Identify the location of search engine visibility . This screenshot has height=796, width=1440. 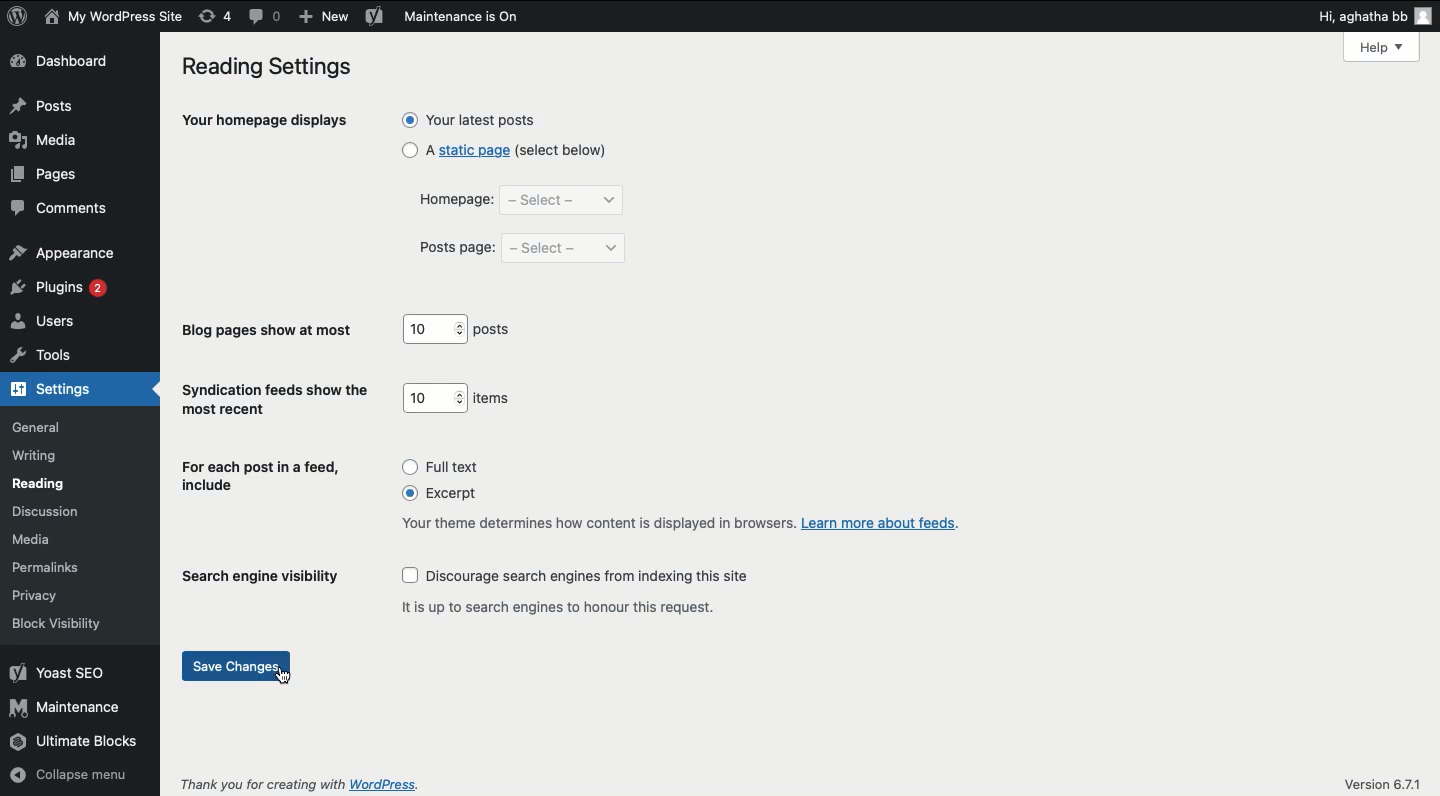
(268, 577).